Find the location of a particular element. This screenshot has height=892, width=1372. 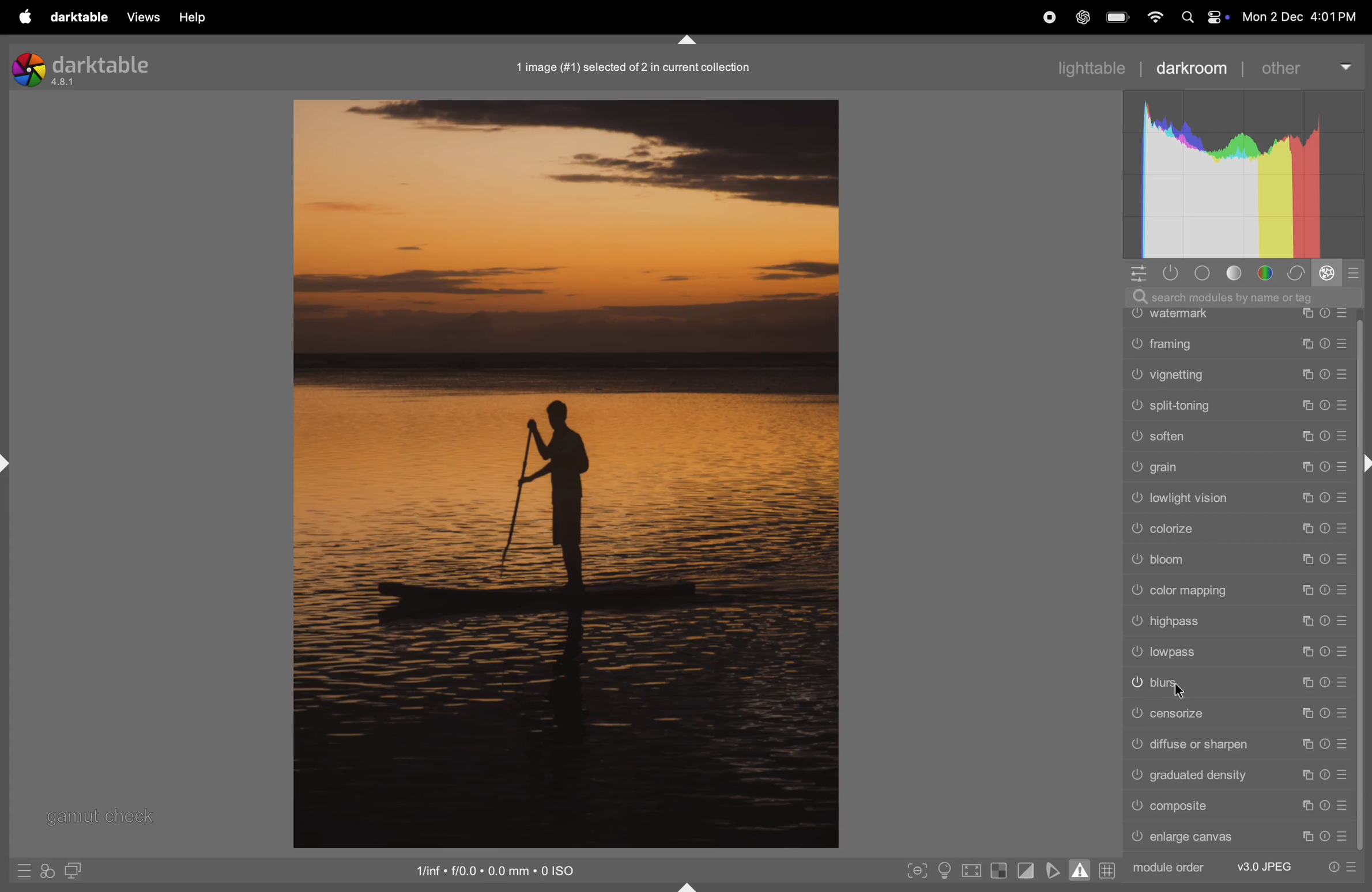

color mapping is located at coordinates (1235, 591).